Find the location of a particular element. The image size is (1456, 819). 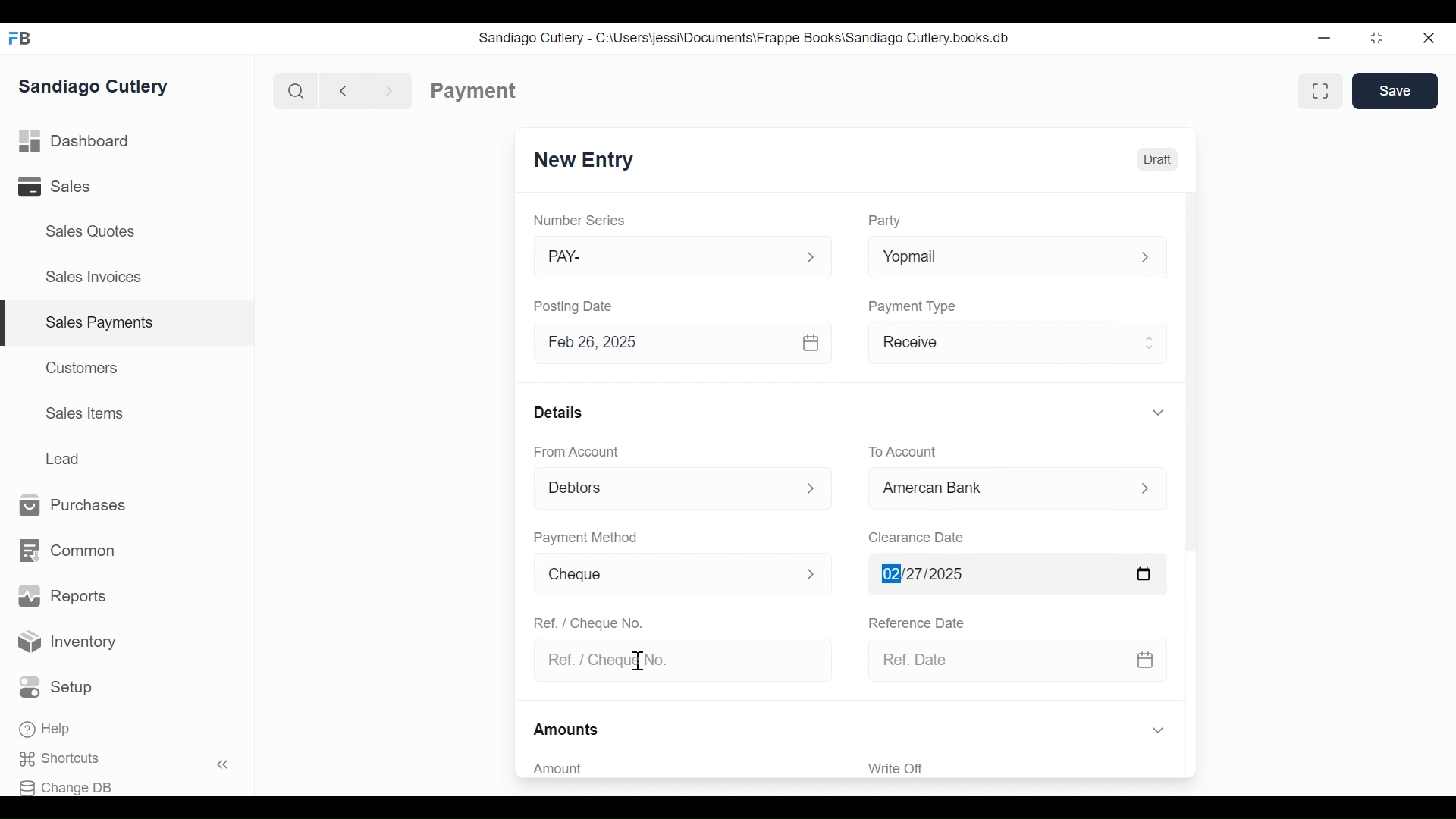

| Sales Payments is located at coordinates (129, 324).